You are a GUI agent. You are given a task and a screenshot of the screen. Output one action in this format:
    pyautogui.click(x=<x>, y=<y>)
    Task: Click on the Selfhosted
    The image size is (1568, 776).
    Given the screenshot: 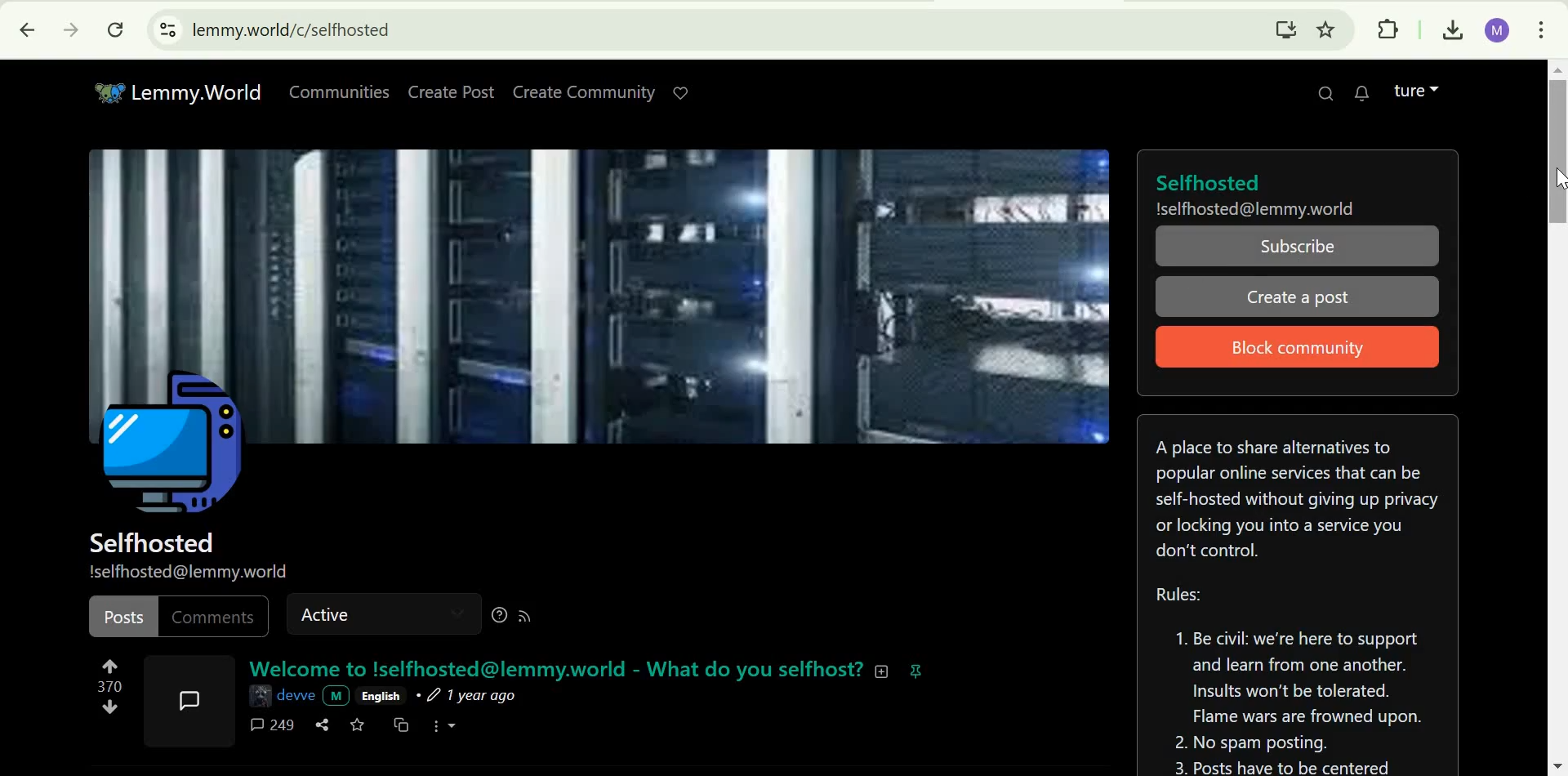 What is the action you would take?
    pyautogui.click(x=151, y=542)
    